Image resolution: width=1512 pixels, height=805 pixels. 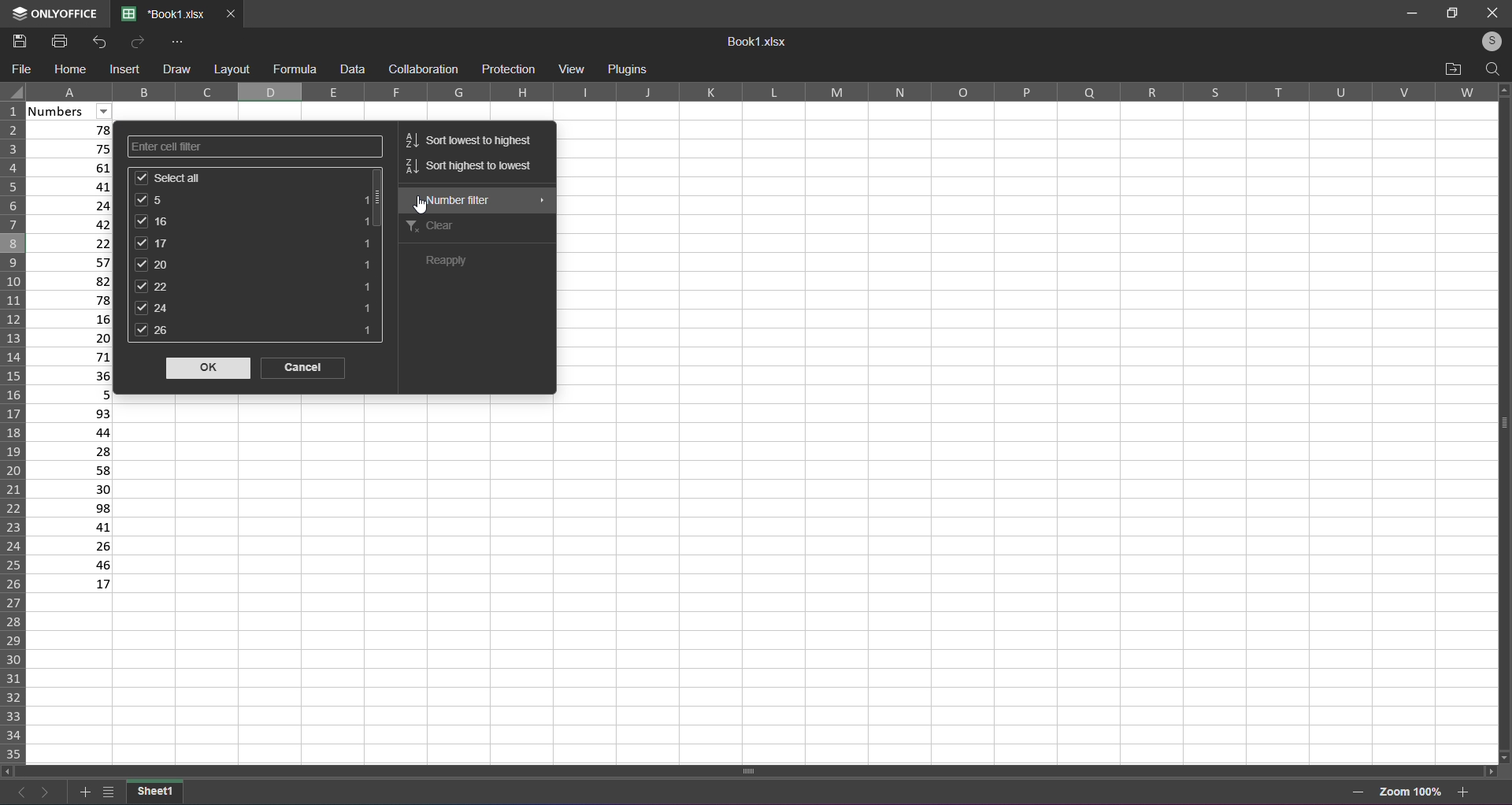 I want to click on ONLYOFFICE, so click(x=51, y=14).